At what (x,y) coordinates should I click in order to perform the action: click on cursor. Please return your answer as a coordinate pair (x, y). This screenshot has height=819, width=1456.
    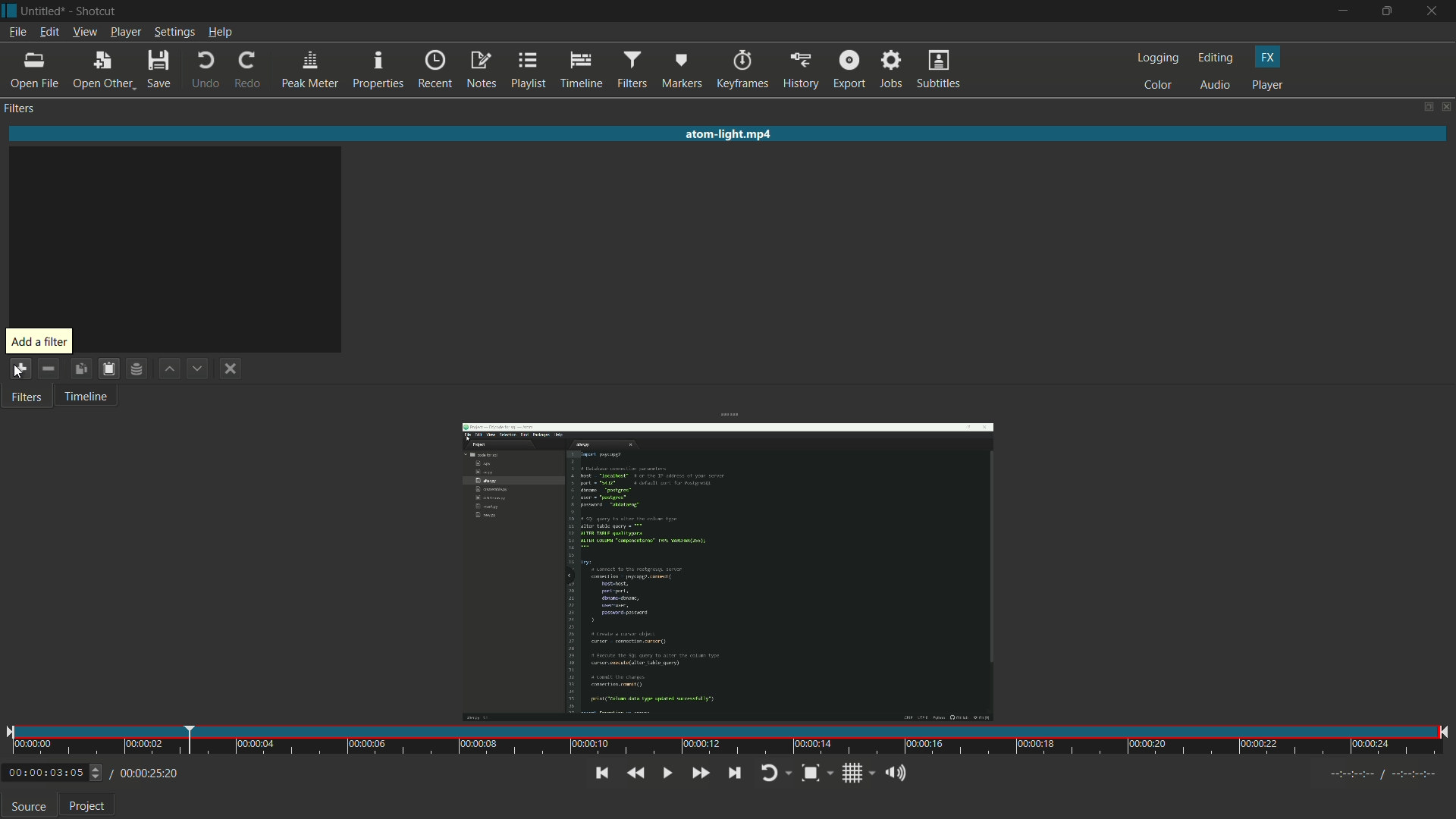
    Looking at the image, I should click on (20, 369).